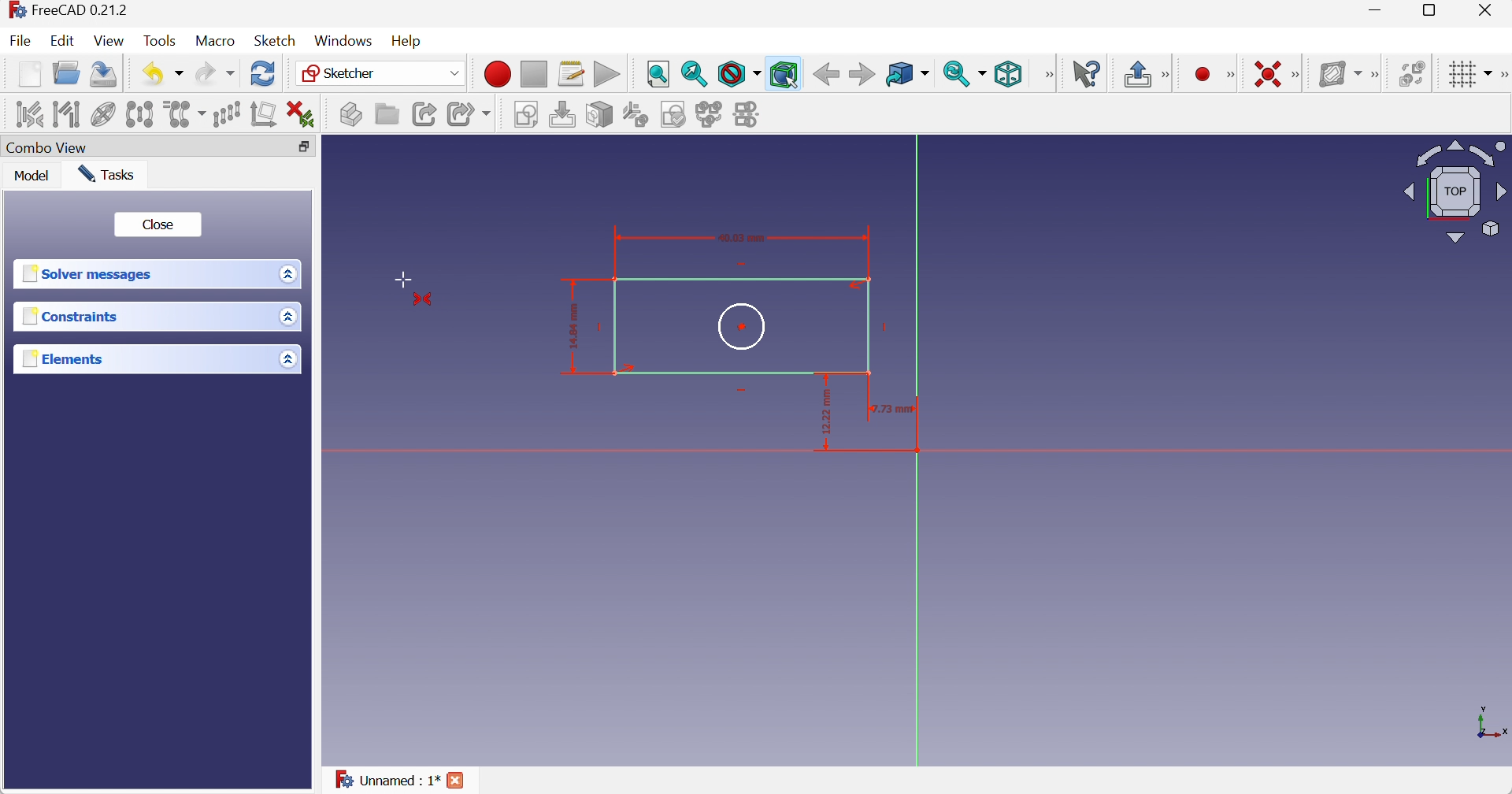 Image resolution: width=1512 pixels, height=794 pixels. What do you see at coordinates (1473, 75) in the screenshot?
I see `Toggle grid` at bounding box center [1473, 75].